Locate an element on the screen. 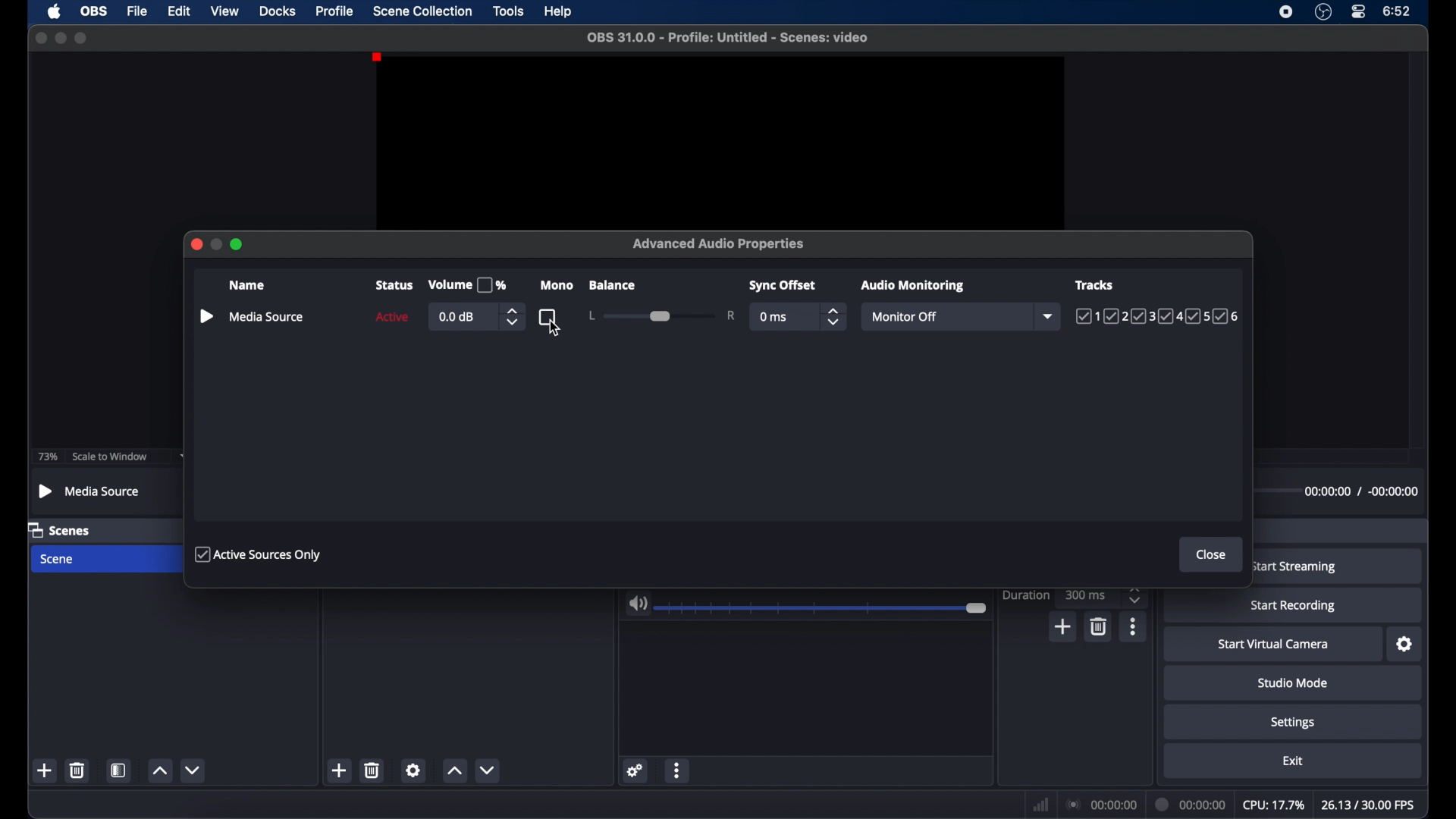 Image resolution: width=1456 pixels, height=819 pixels. tracks is located at coordinates (1157, 317).